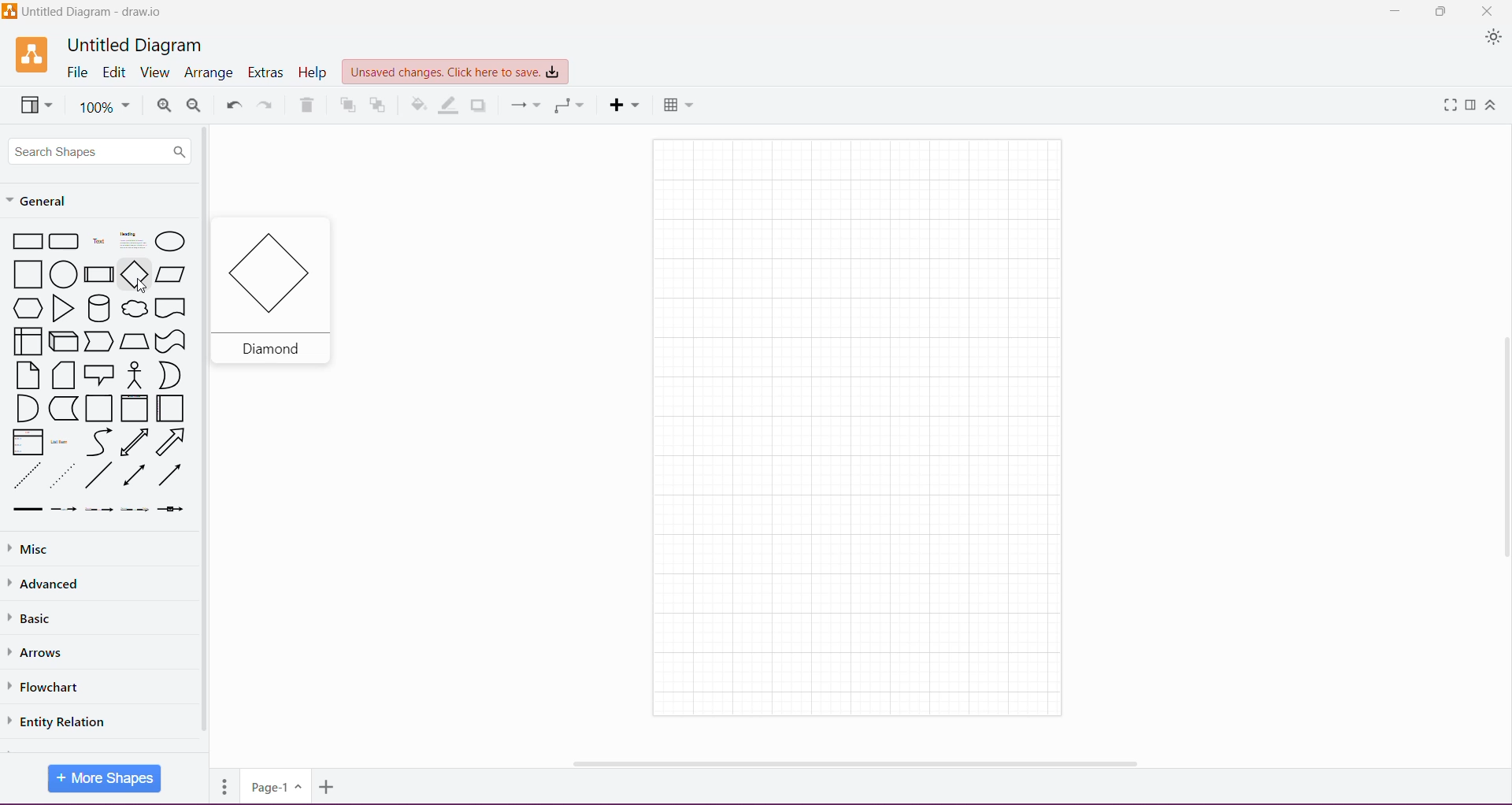 Image resolution: width=1512 pixels, height=805 pixels. What do you see at coordinates (527, 105) in the screenshot?
I see `Connection` at bounding box center [527, 105].